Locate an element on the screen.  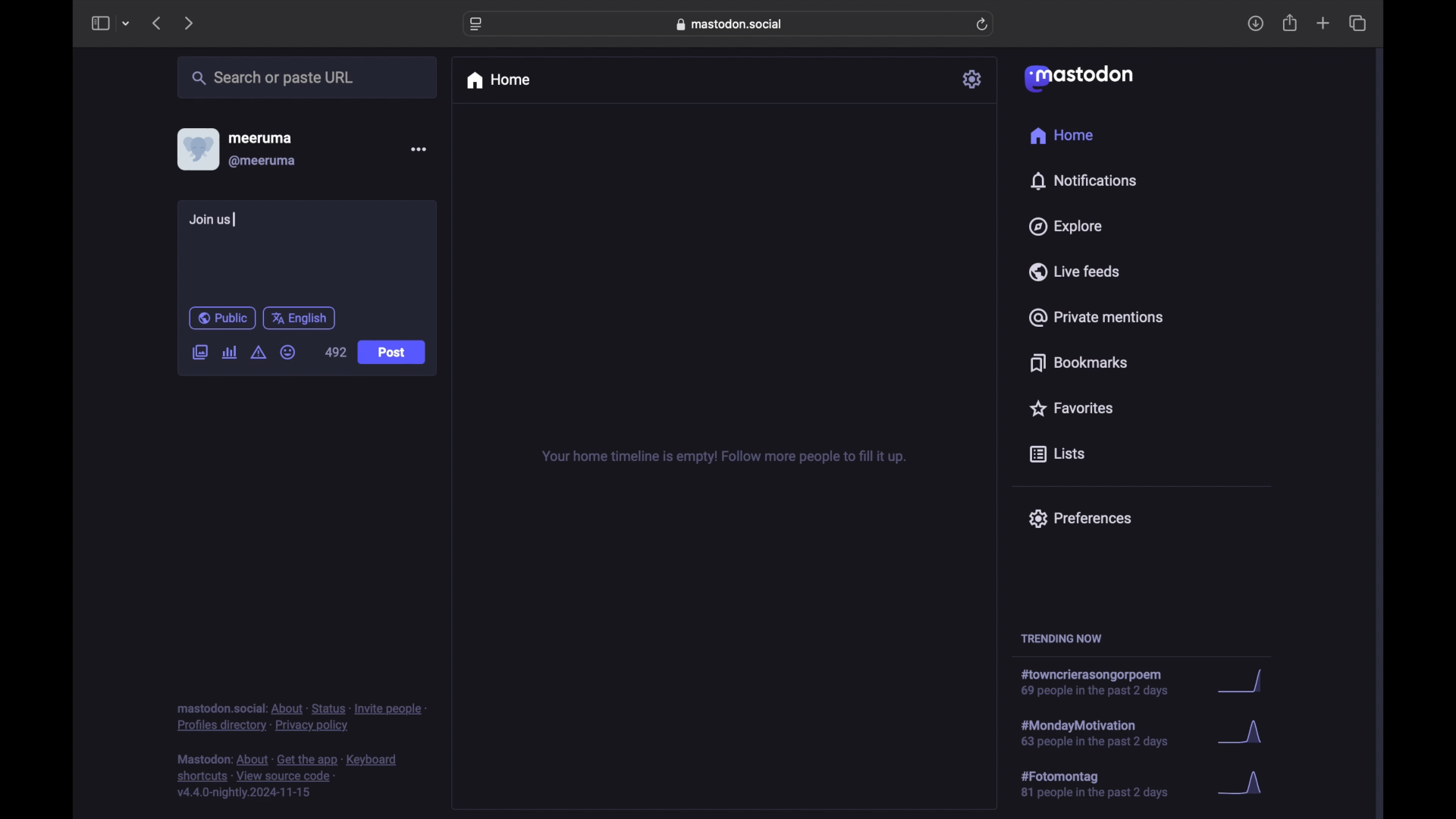
notifications is located at coordinates (1083, 180).